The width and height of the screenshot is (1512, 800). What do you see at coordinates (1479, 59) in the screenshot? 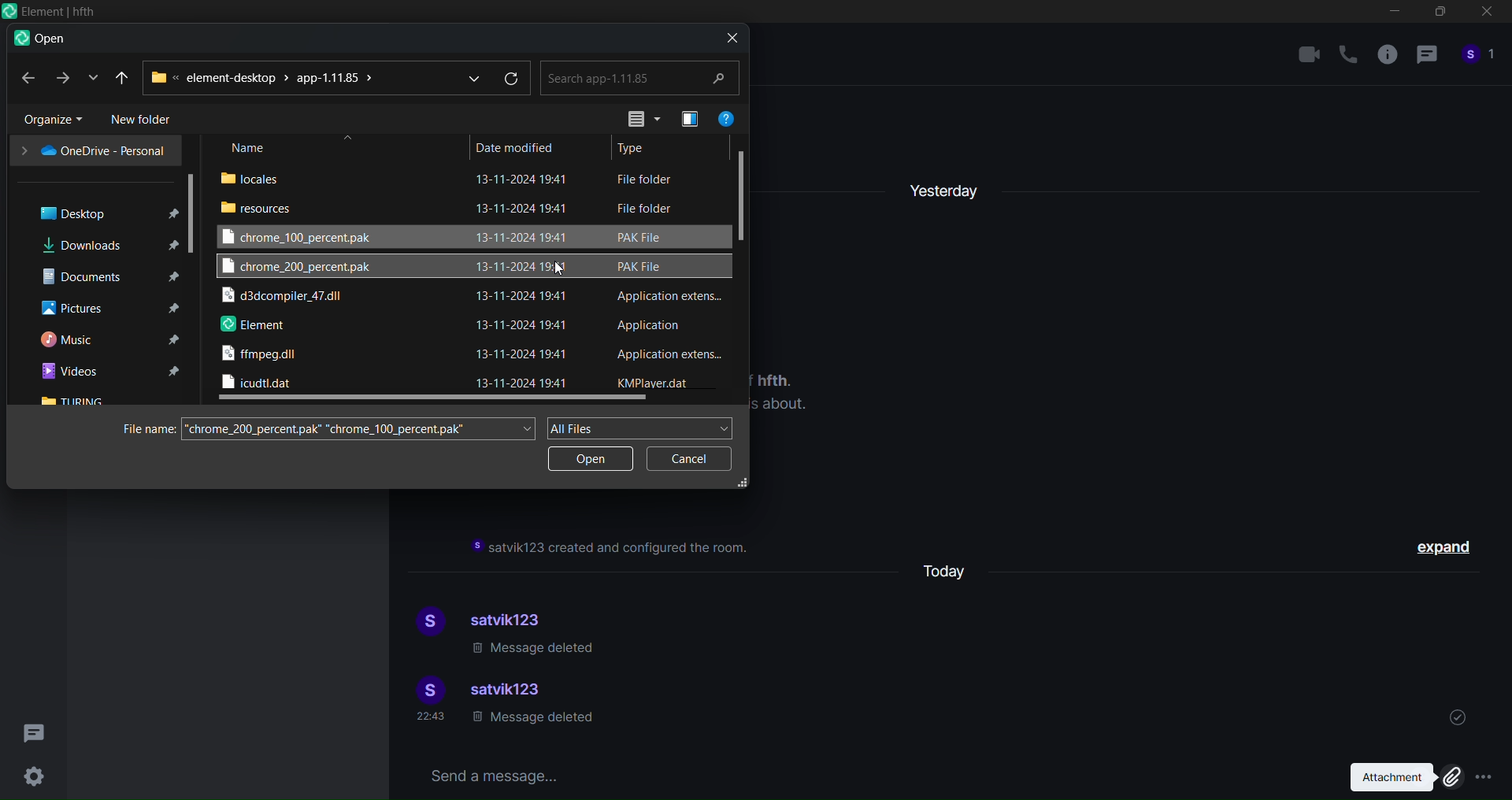
I see `people` at bounding box center [1479, 59].